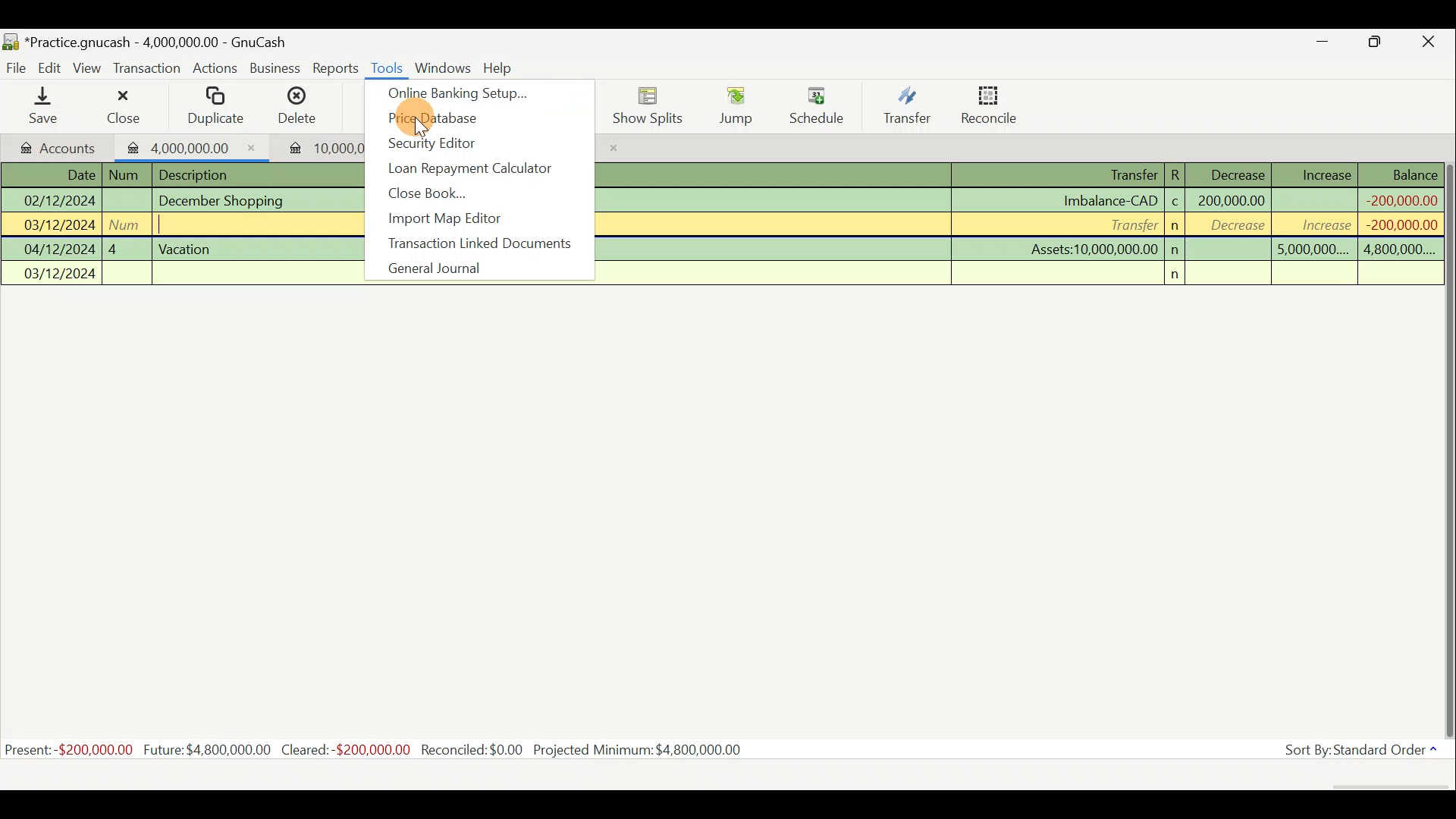 The width and height of the screenshot is (1456, 819). I want to click on Vacation, so click(187, 247).